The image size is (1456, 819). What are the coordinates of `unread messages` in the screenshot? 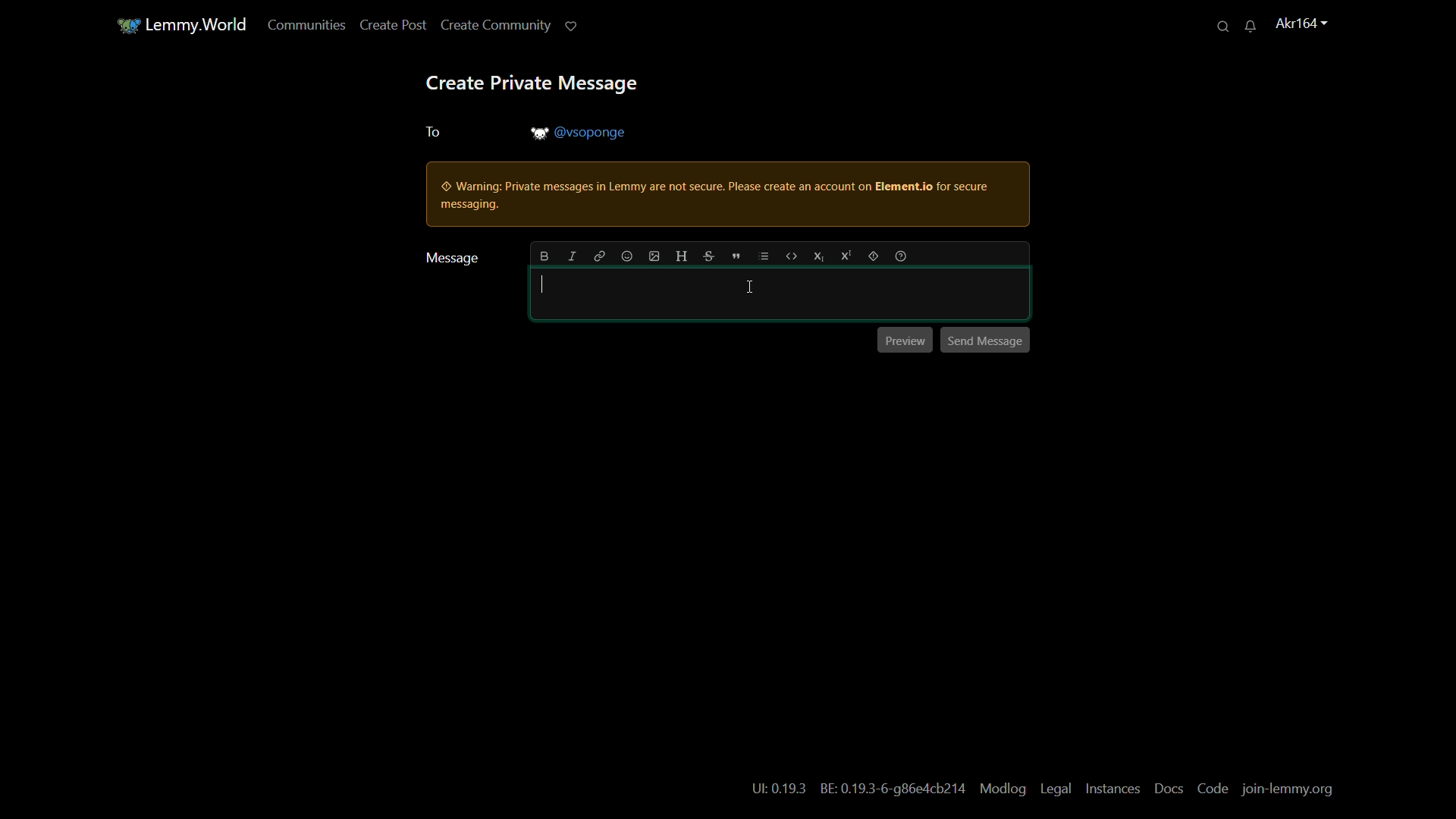 It's located at (1244, 25).